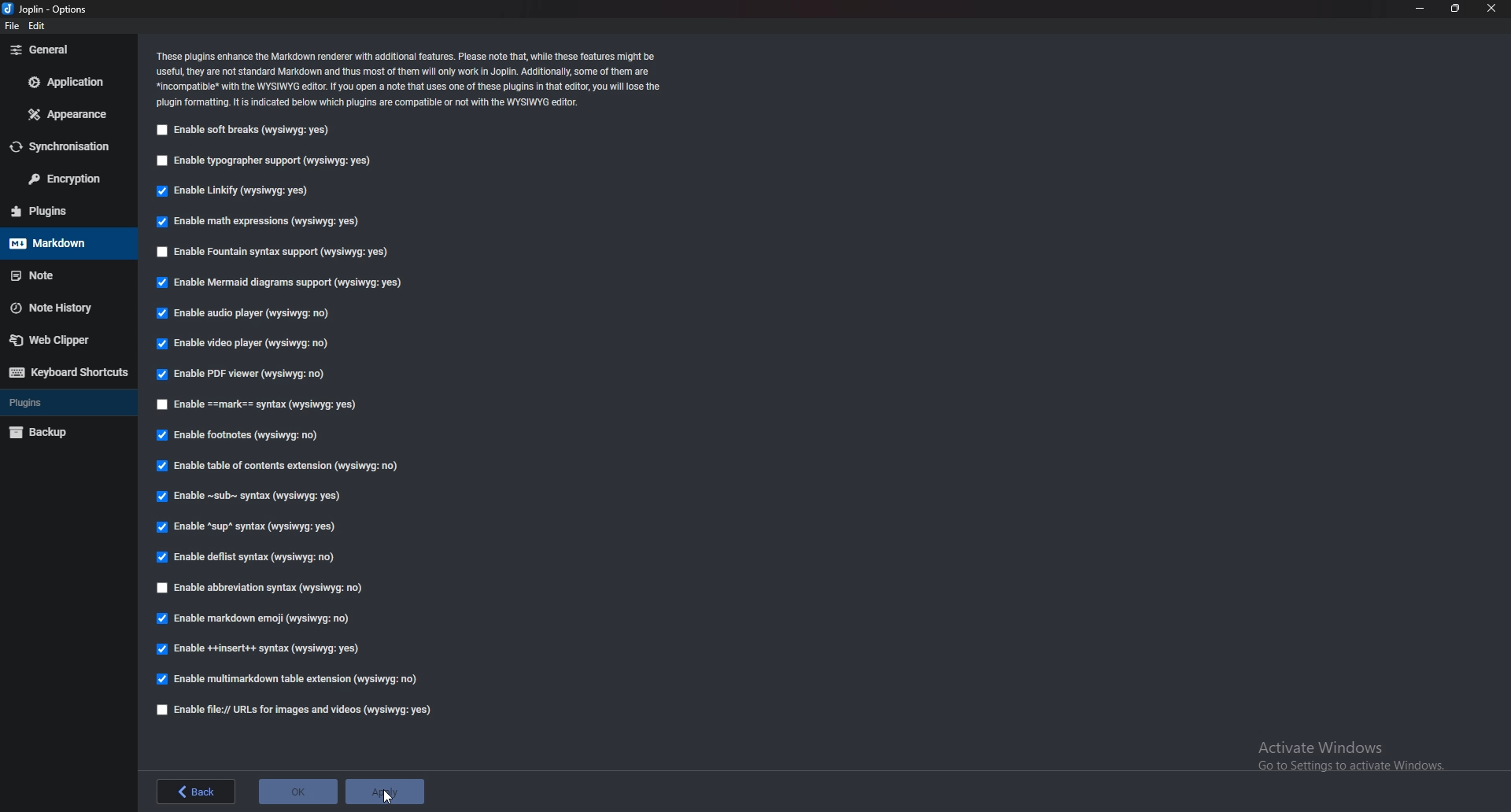  Describe the element at coordinates (68, 83) in the screenshot. I see `Application` at that location.